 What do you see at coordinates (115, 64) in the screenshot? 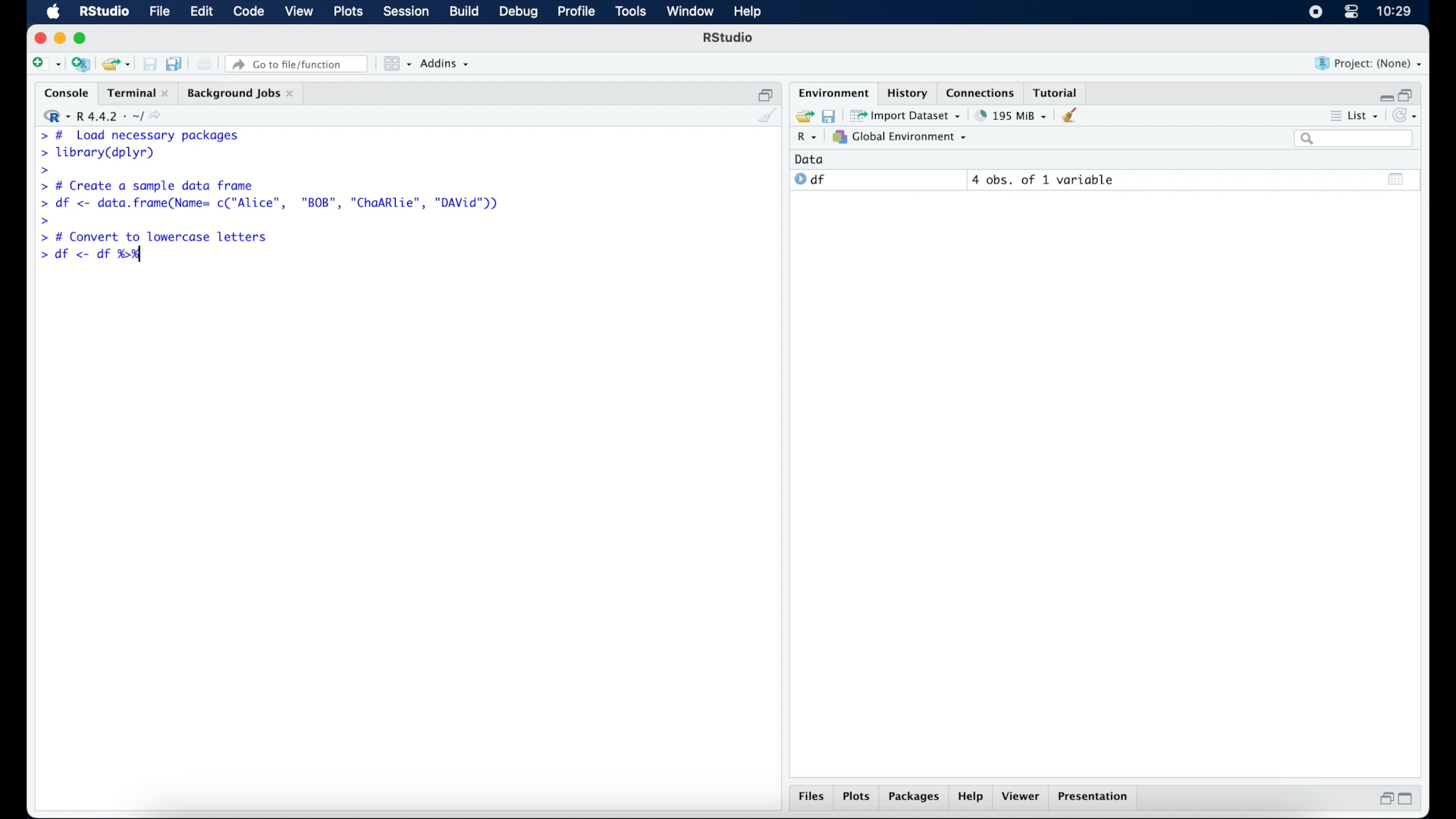
I see `load existing project` at bounding box center [115, 64].